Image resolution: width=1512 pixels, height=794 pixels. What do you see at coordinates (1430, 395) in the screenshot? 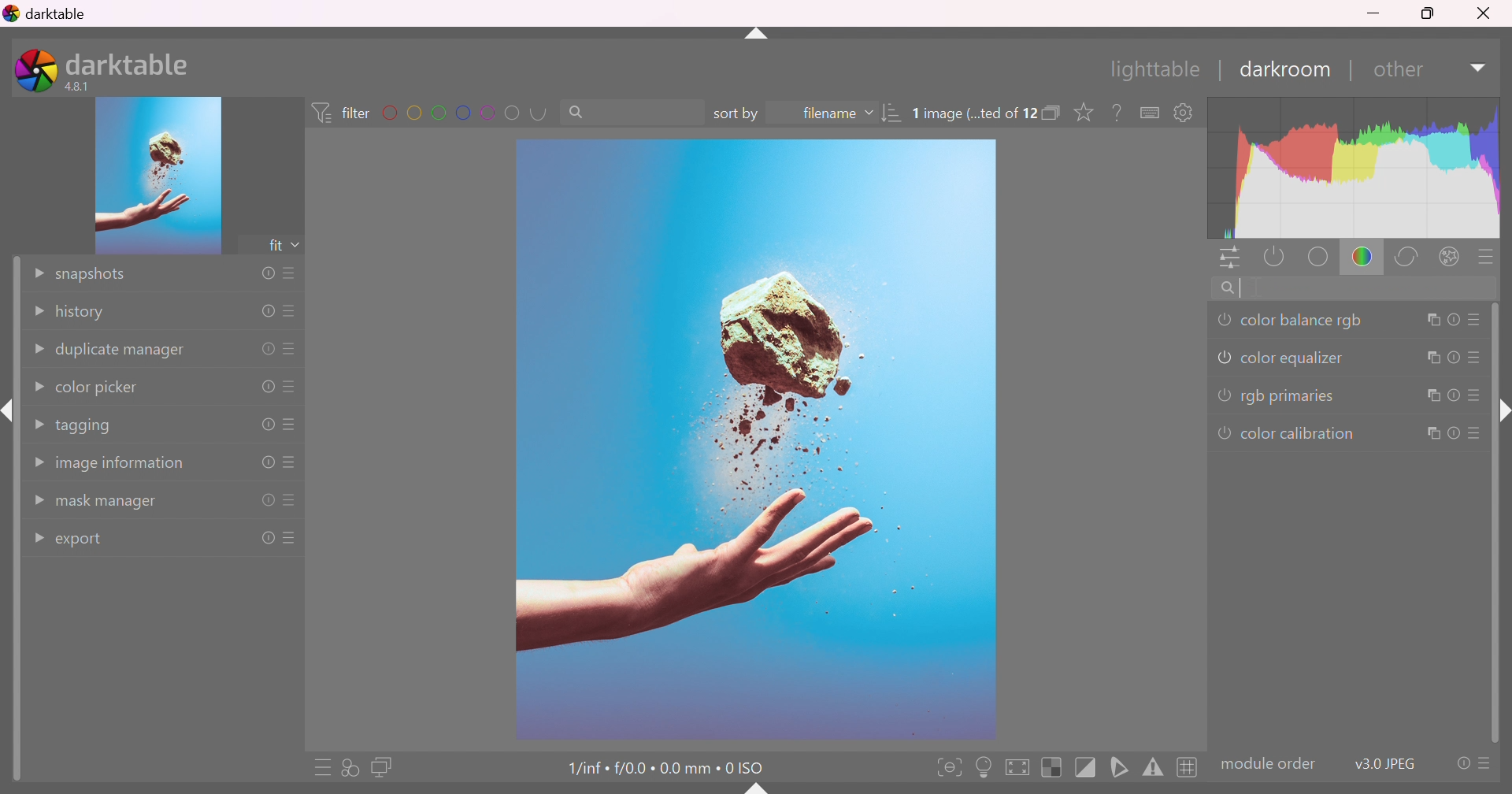
I see `multiple instance actions` at bounding box center [1430, 395].